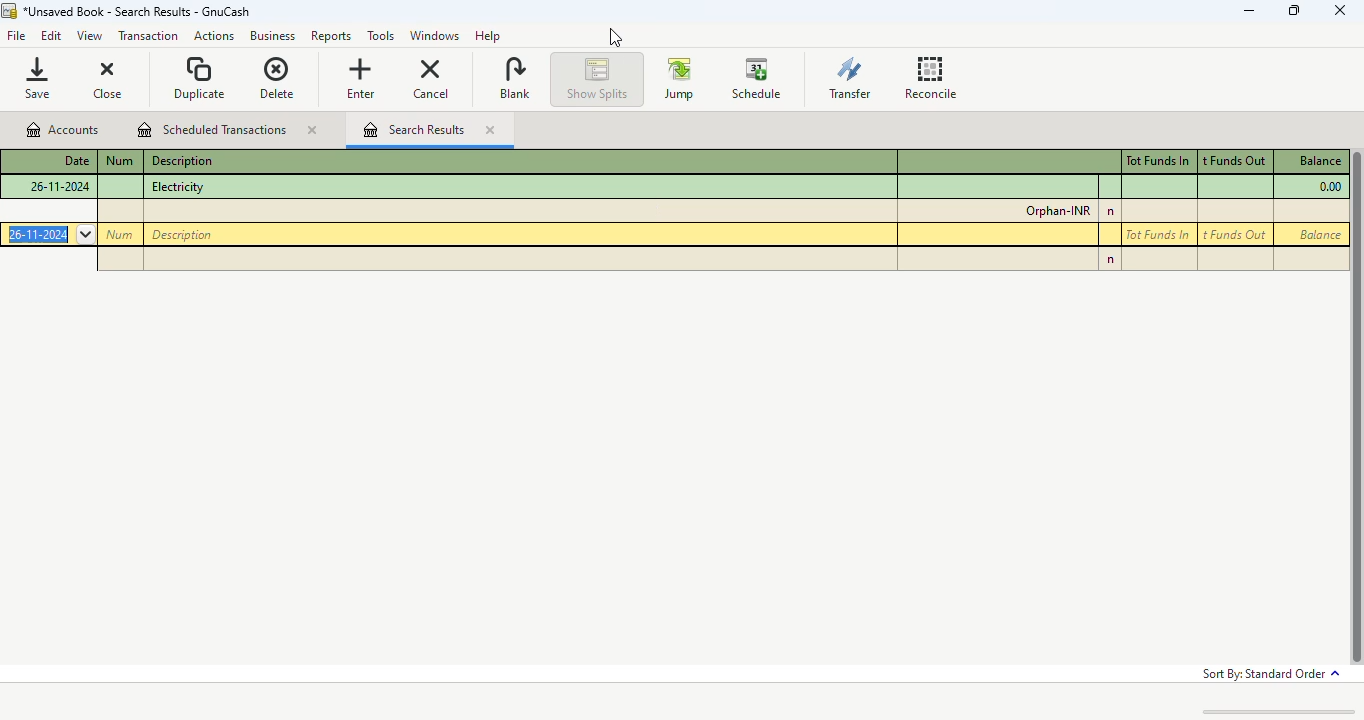 This screenshot has height=720, width=1364. I want to click on blank, so click(514, 78).